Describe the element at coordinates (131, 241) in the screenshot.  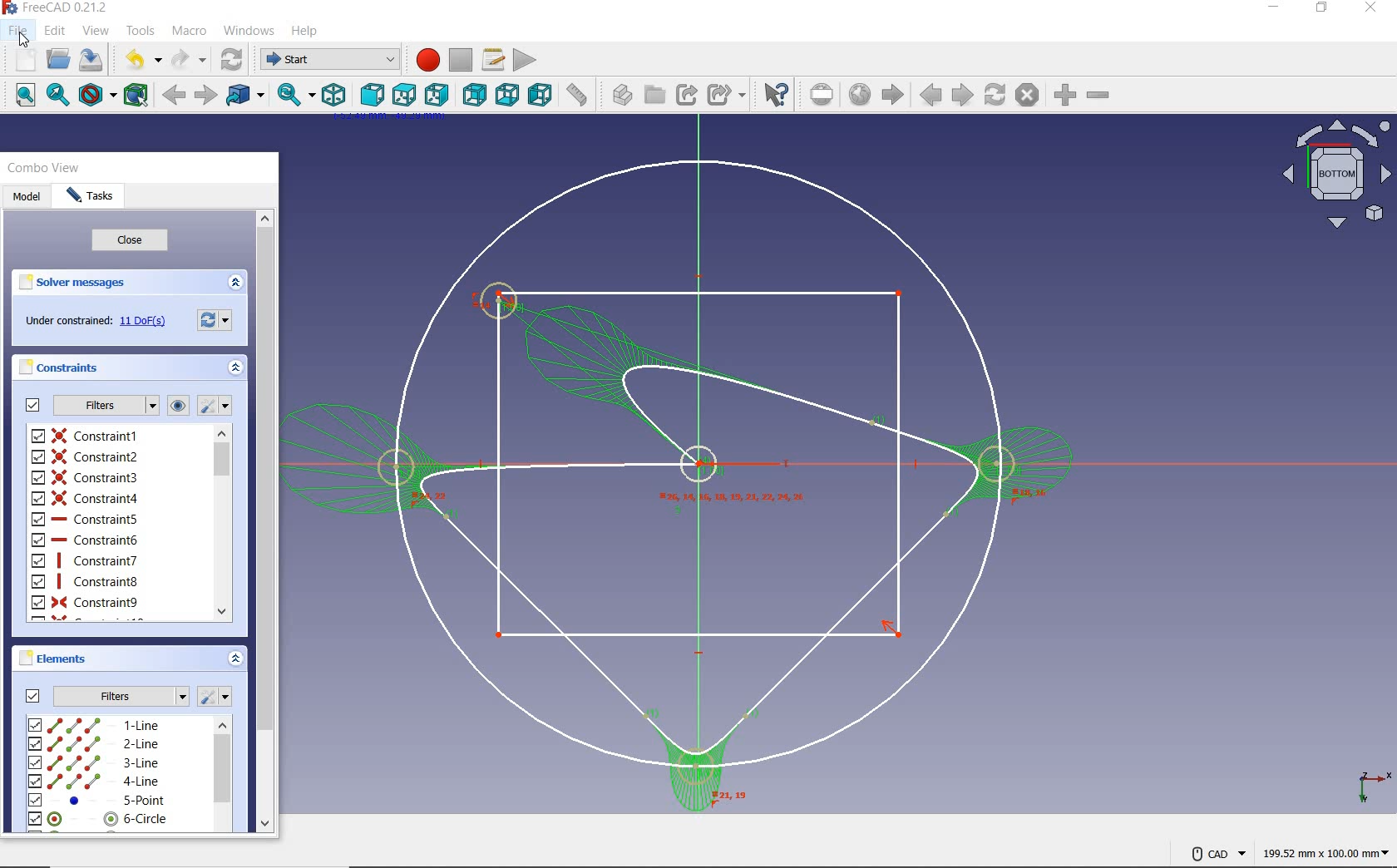
I see `close` at that location.